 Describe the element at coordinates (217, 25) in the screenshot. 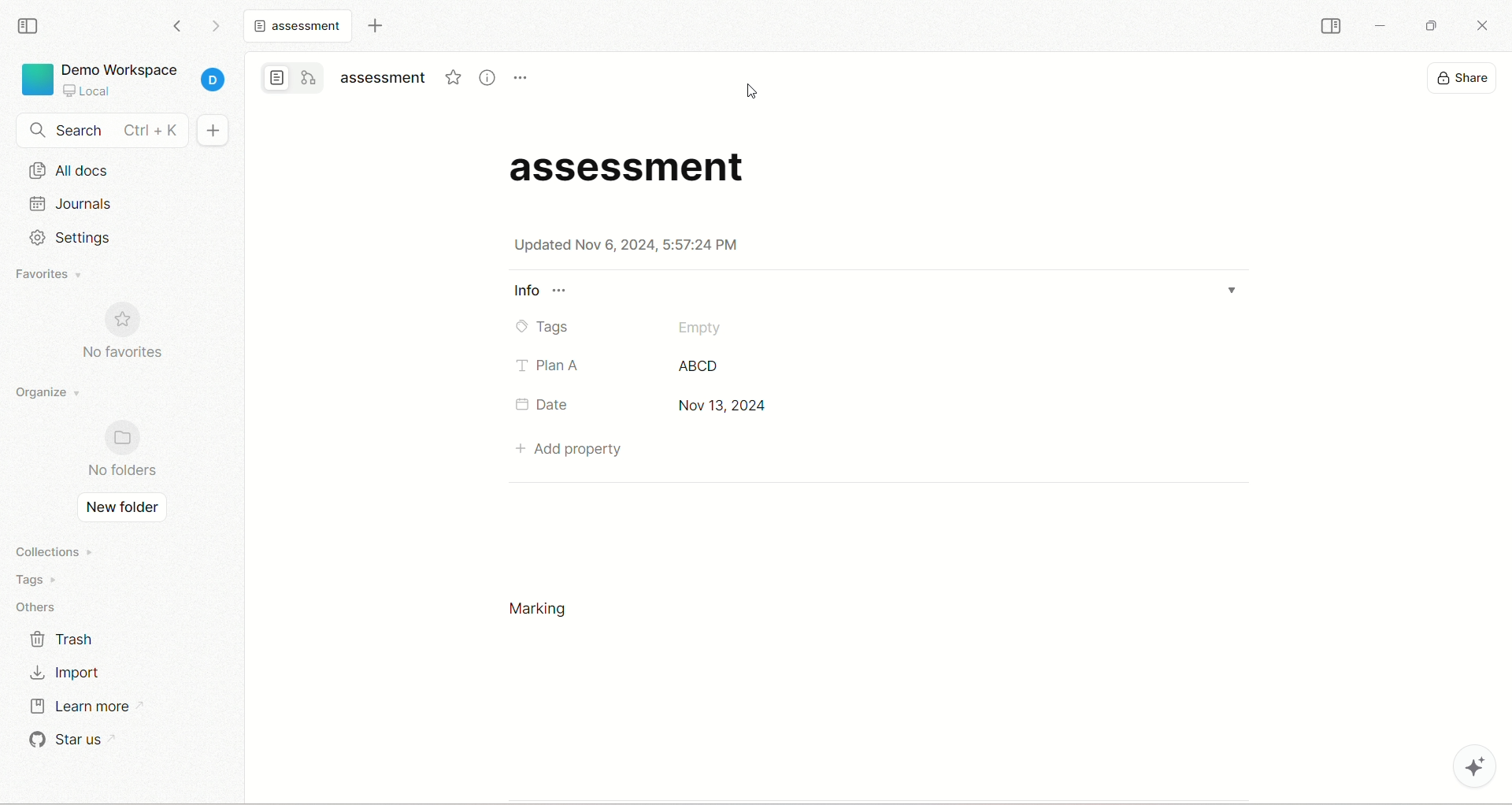

I see `go forward` at that location.